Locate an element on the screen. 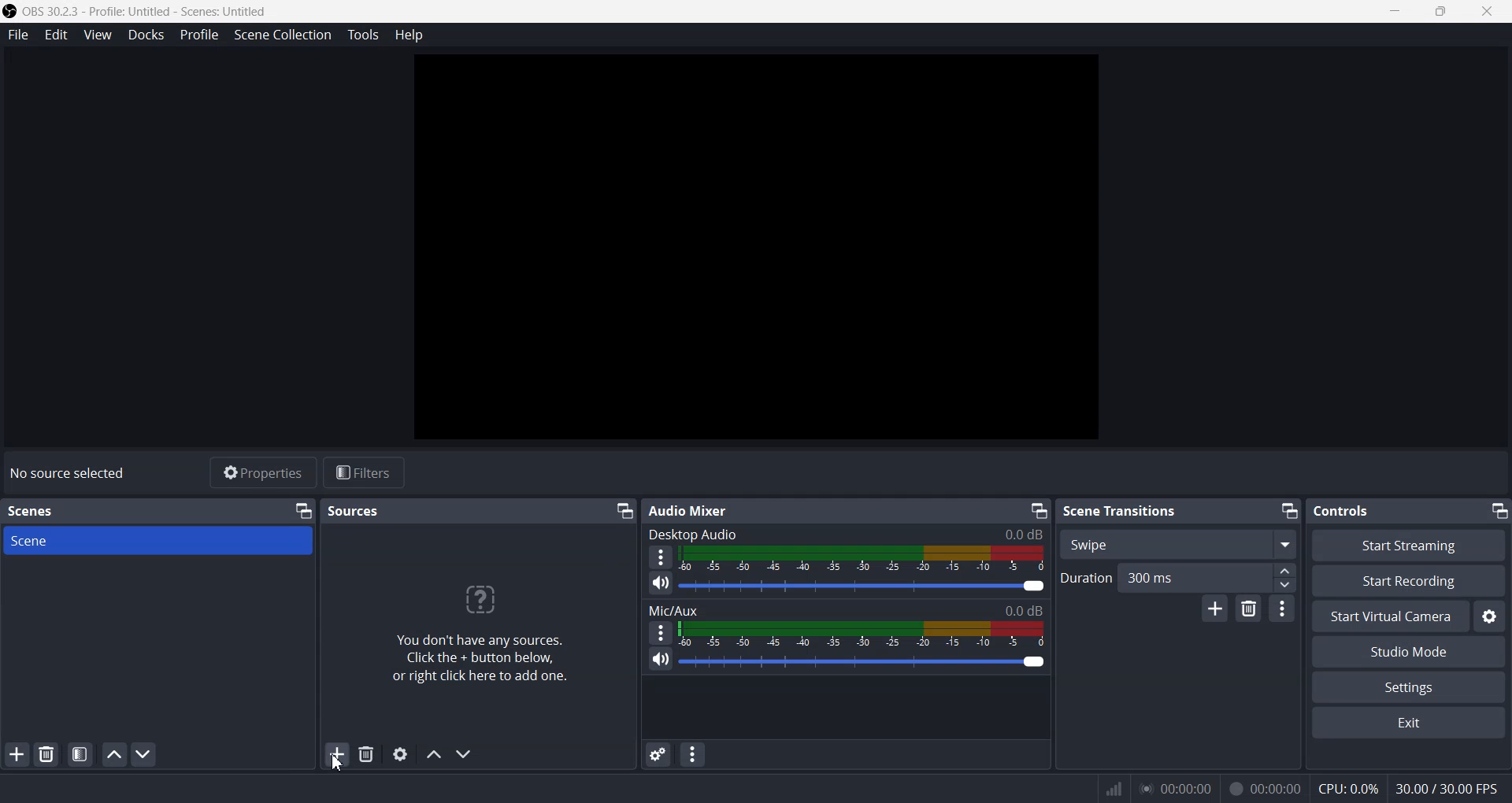  Close is located at coordinates (1487, 12).